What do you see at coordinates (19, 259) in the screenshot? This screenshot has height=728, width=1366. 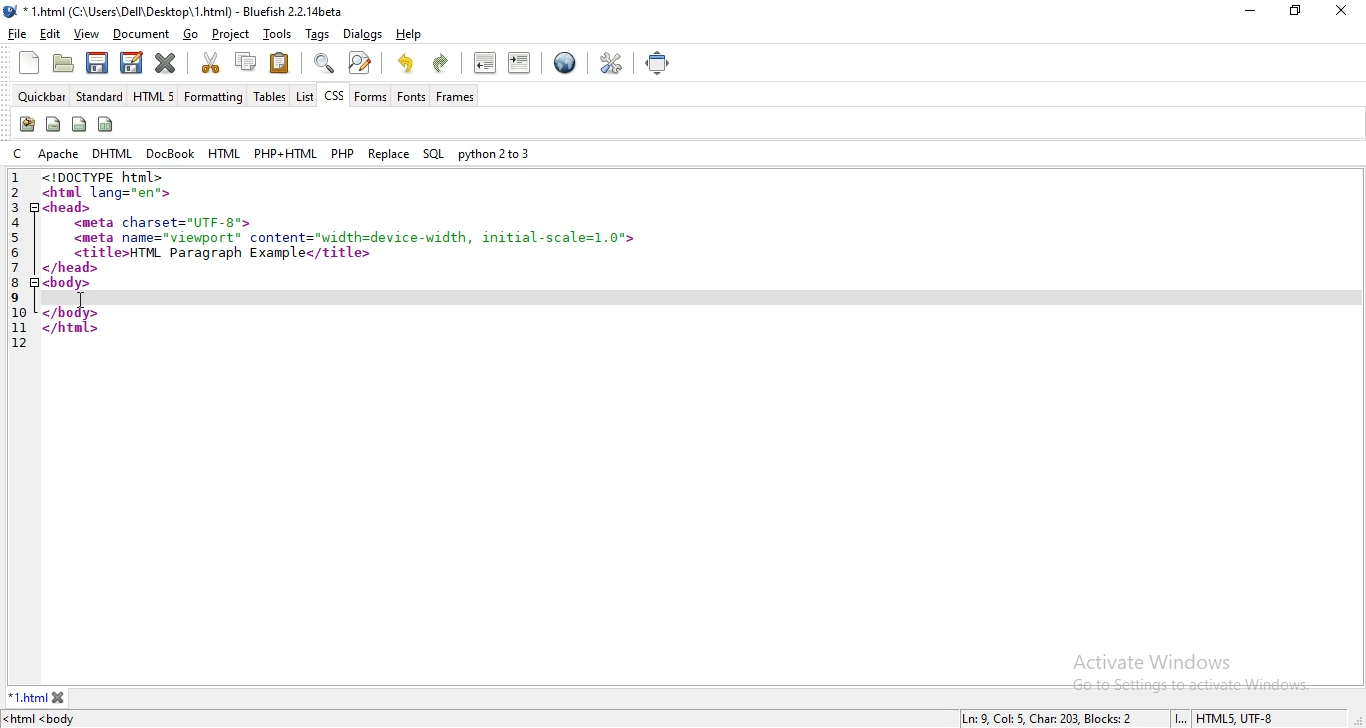 I see `line numbers utilised from 1 to 12` at bounding box center [19, 259].